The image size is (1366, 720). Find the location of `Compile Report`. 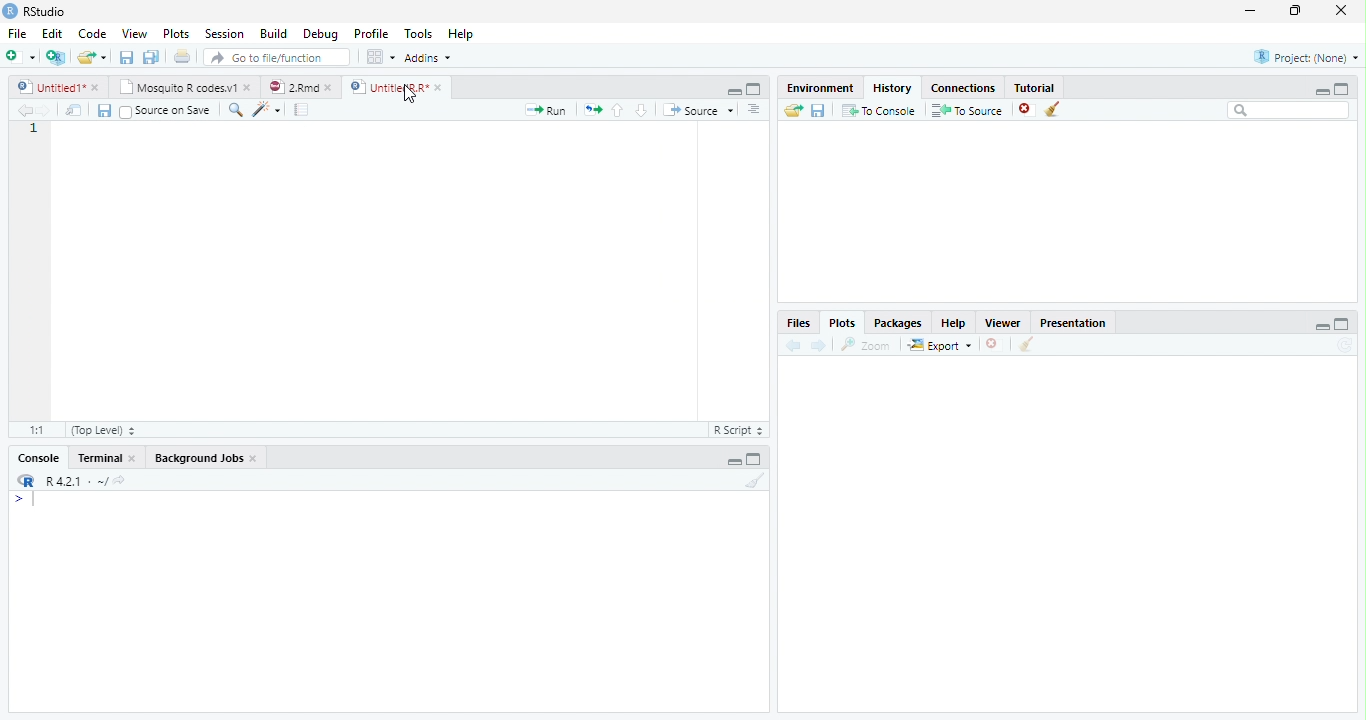

Compile Report is located at coordinates (302, 109).